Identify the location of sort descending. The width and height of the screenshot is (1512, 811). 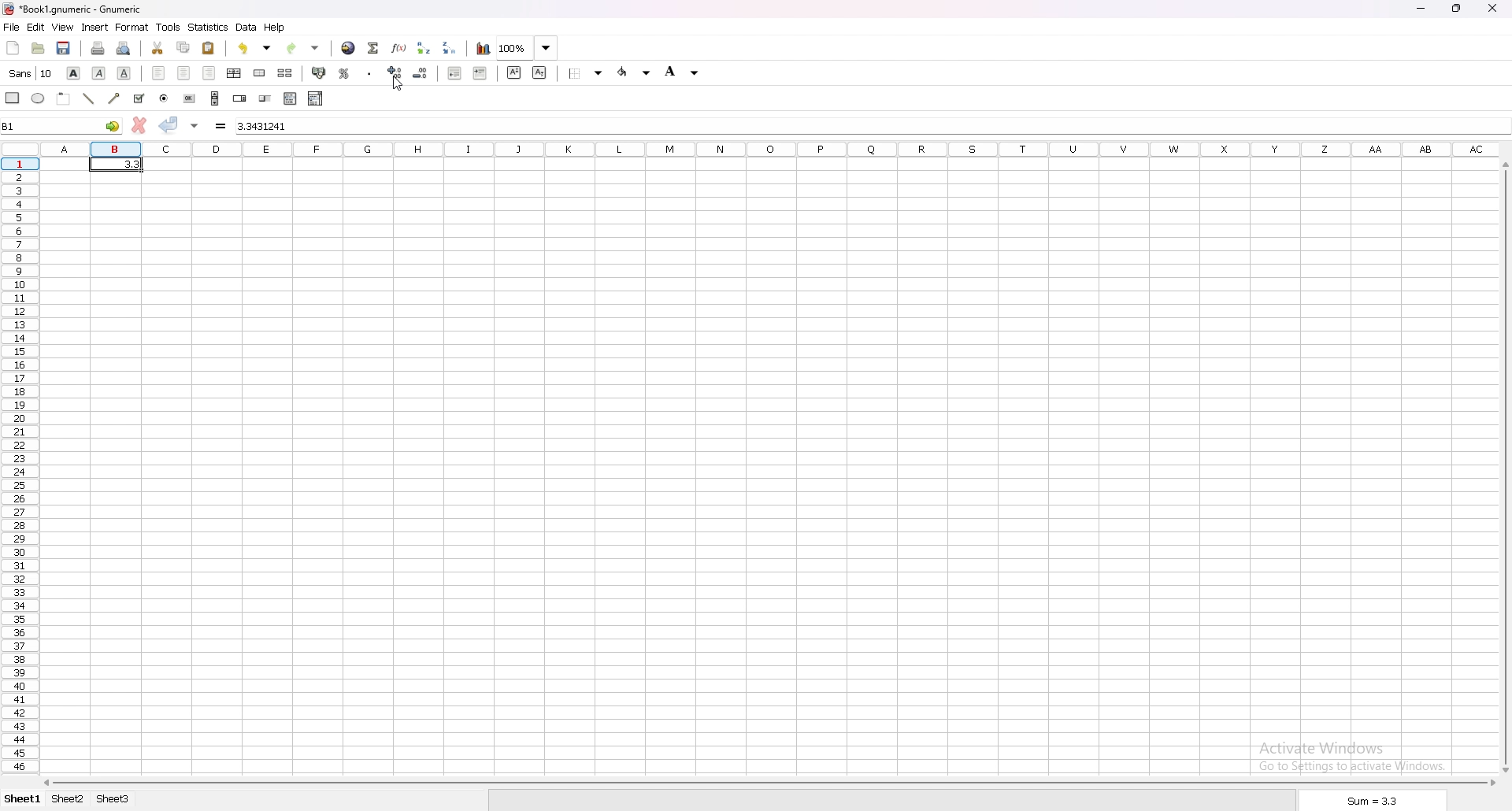
(450, 49).